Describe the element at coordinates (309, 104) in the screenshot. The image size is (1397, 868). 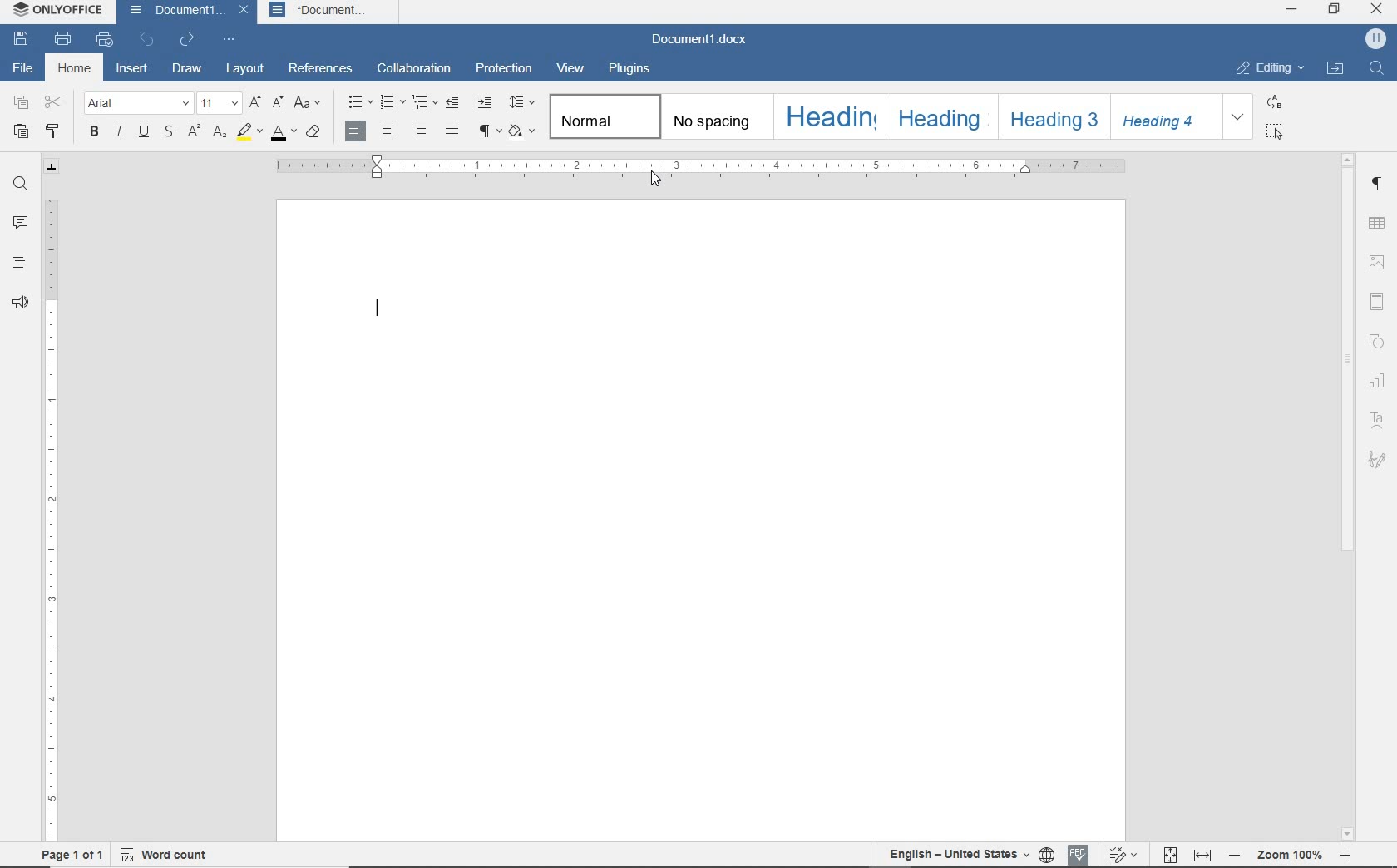
I see `CHANGE CASE` at that location.